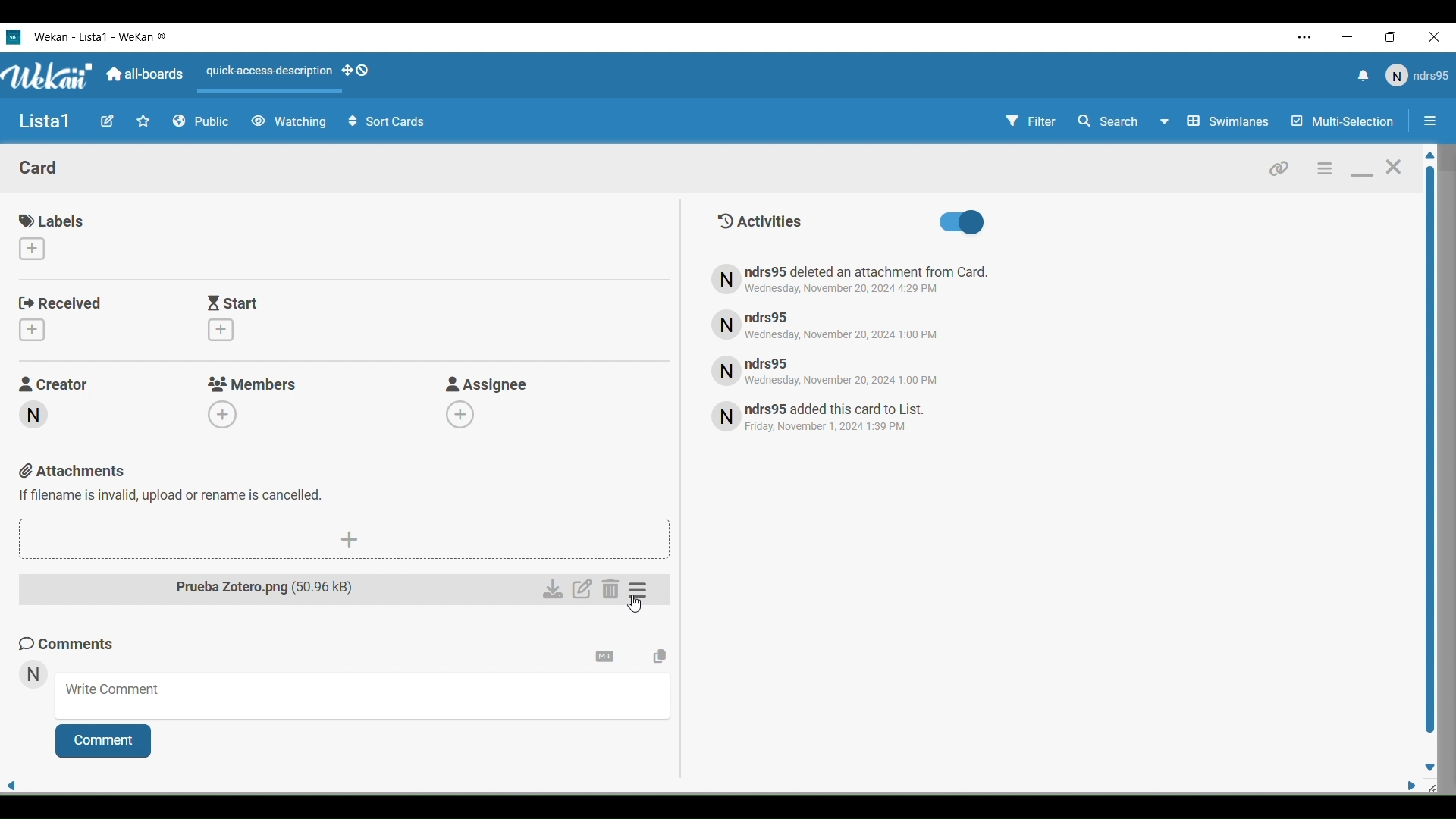 The width and height of the screenshot is (1456, 819). What do you see at coordinates (55, 221) in the screenshot?
I see `Labels` at bounding box center [55, 221].